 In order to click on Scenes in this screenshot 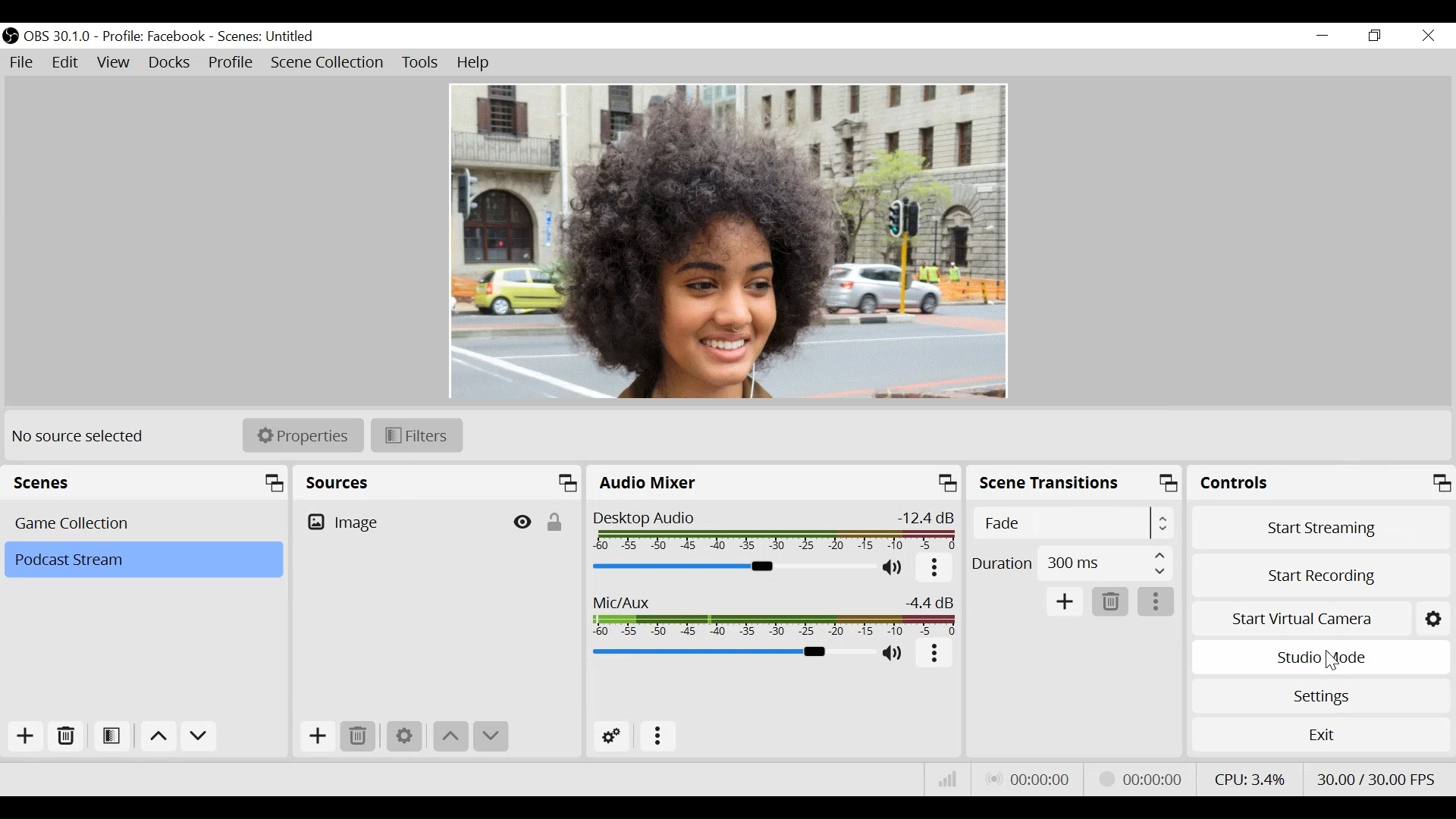, I will do `click(145, 524)`.